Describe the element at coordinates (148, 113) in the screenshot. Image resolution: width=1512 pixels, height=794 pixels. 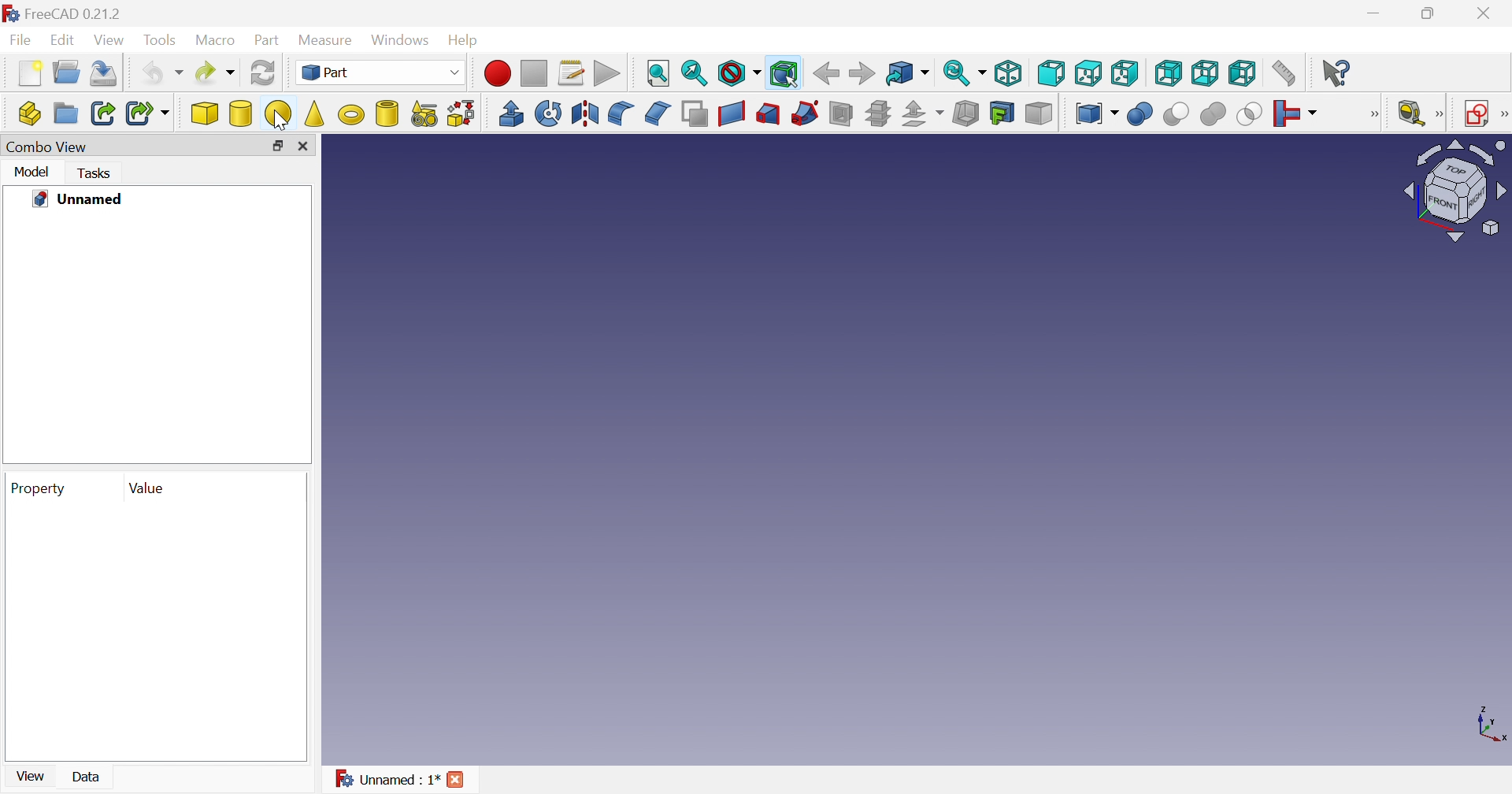
I see `Make sub-link` at that location.